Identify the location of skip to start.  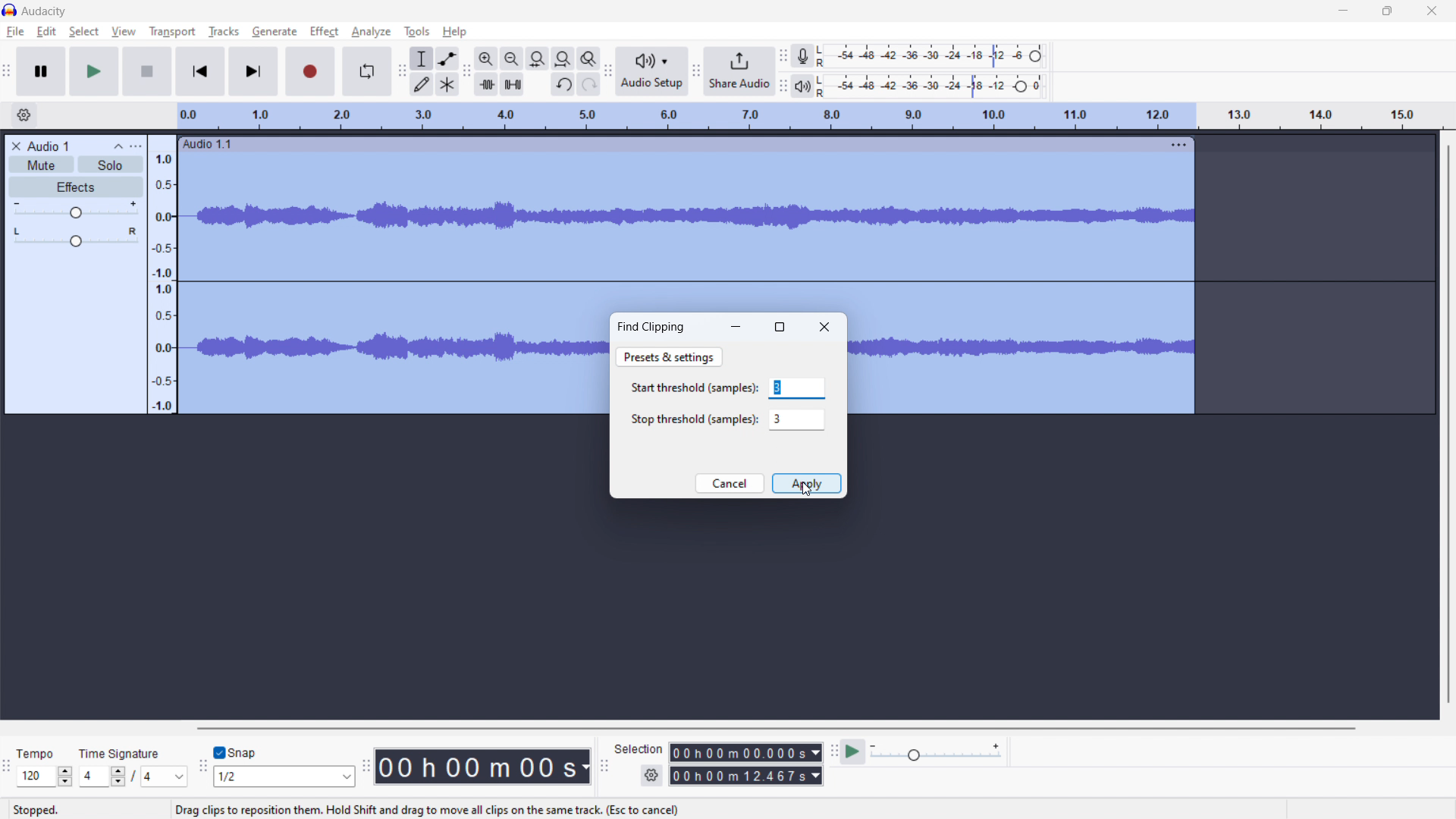
(200, 71).